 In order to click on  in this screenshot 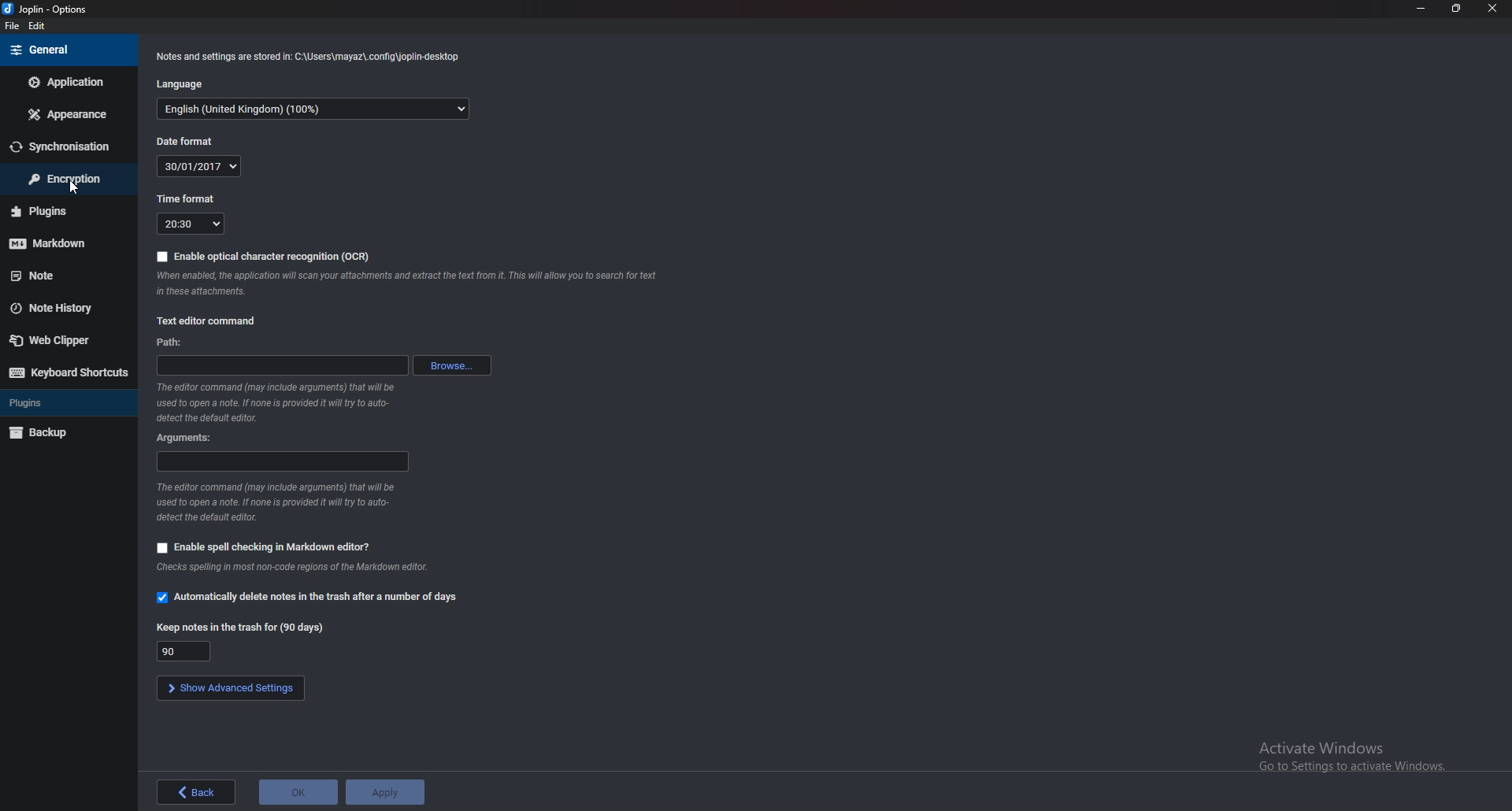, I will do `click(287, 568)`.